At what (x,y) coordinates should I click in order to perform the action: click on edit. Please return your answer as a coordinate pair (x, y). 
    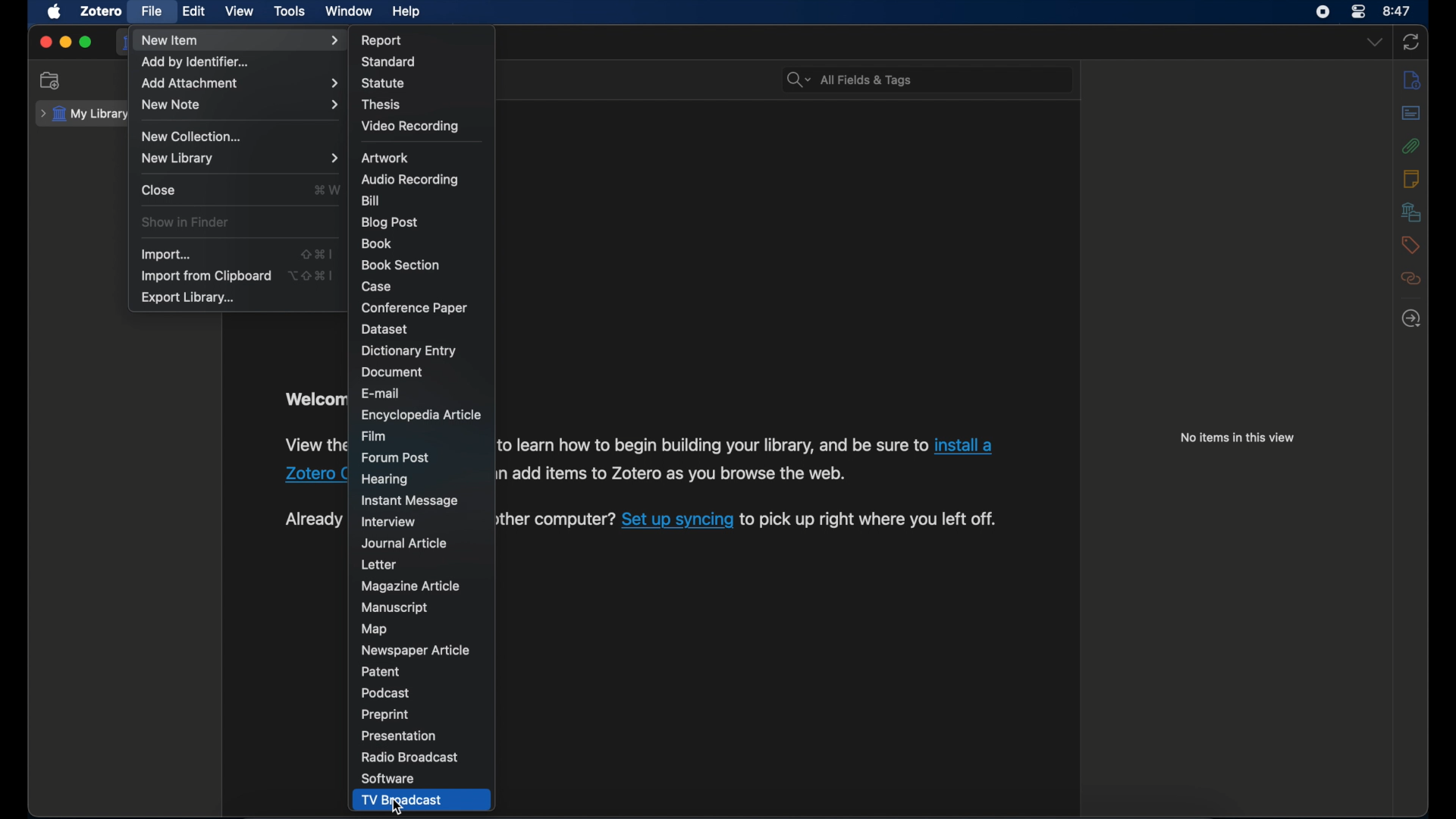
    Looking at the image, I should click on (195, 12).